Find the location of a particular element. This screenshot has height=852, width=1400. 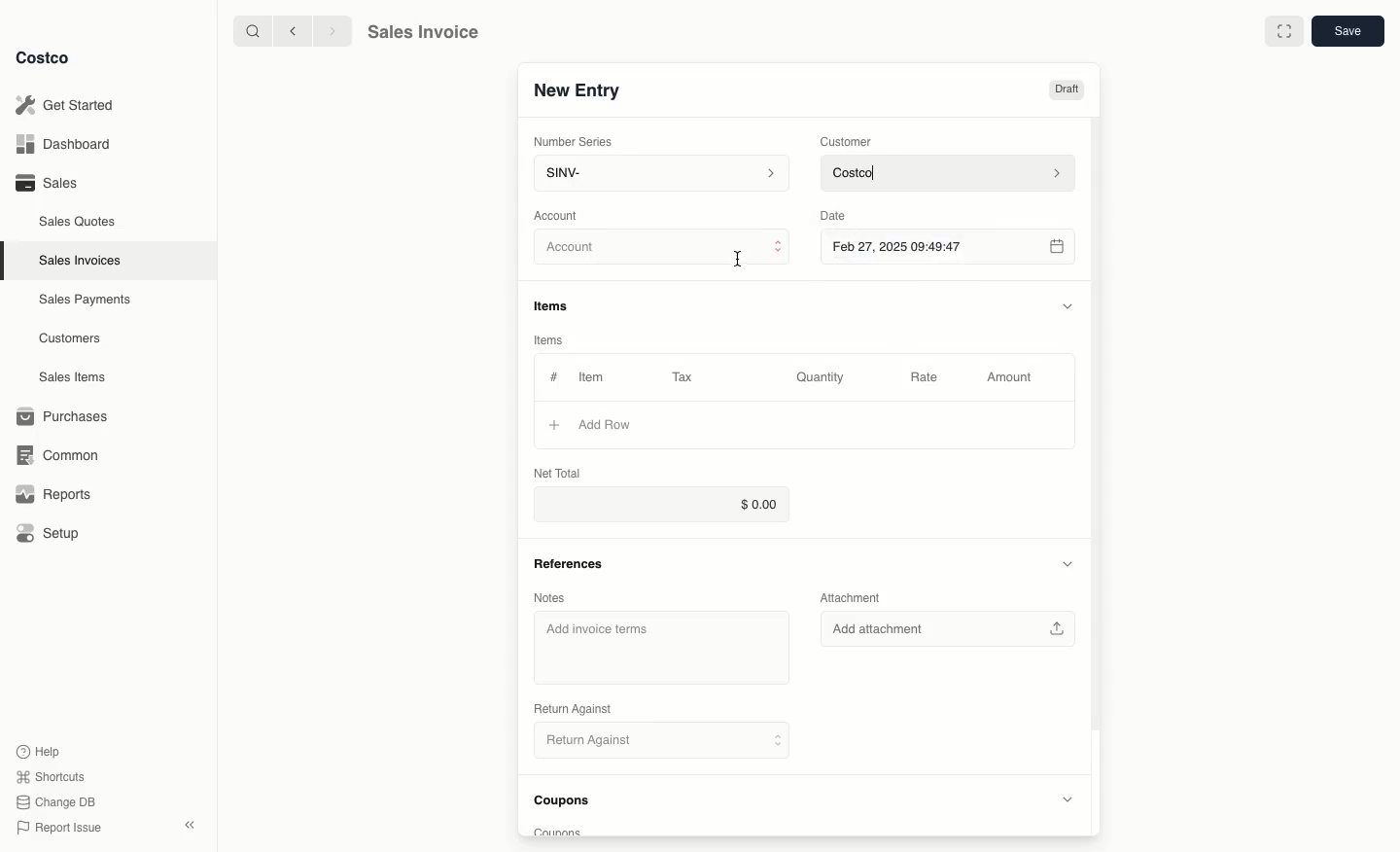

Notes is located at coordinates (549, 598).